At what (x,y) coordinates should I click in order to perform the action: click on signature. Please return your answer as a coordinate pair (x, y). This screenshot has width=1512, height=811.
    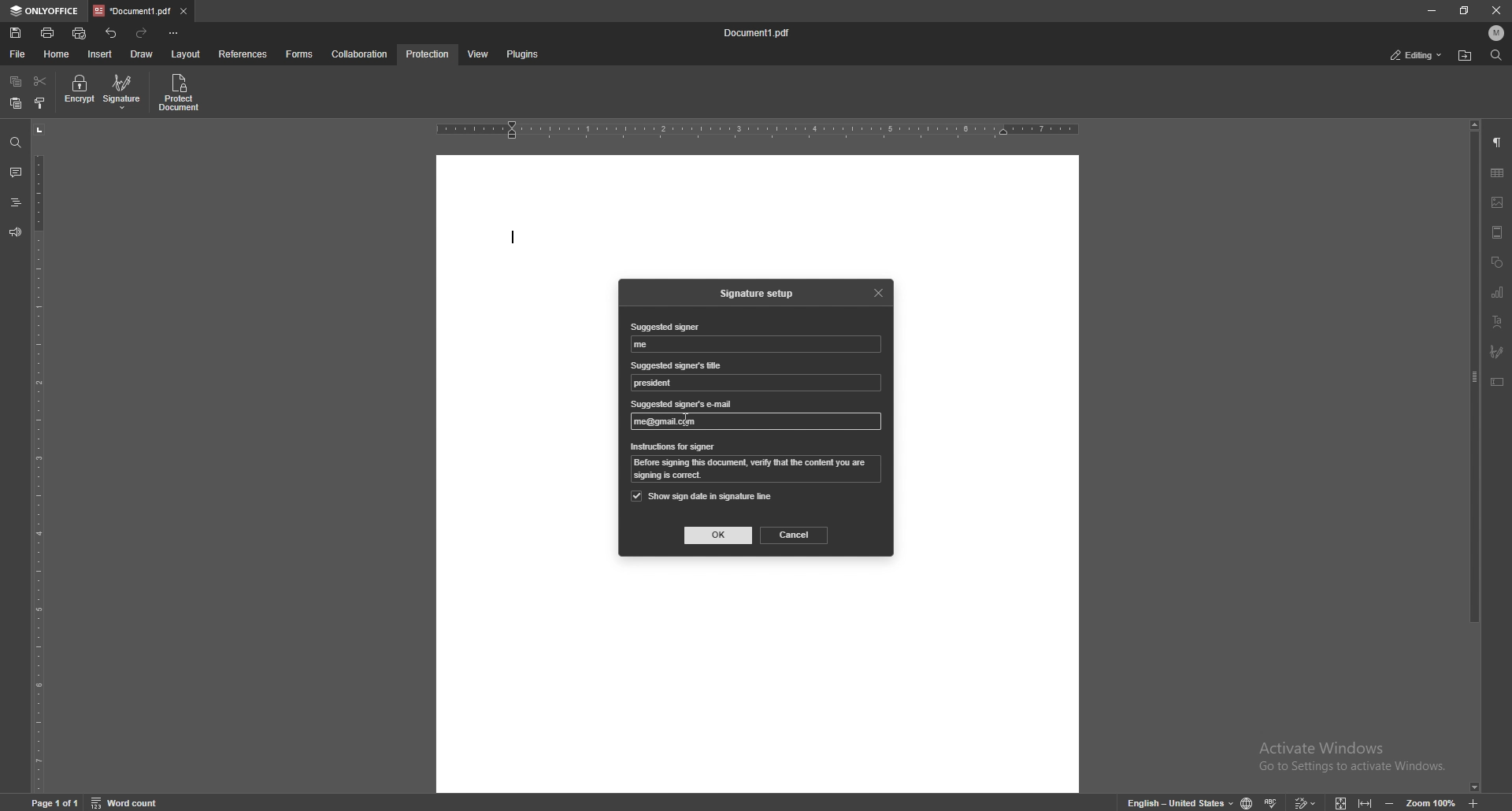
    Looking at the image, I should click on (1497, 352).